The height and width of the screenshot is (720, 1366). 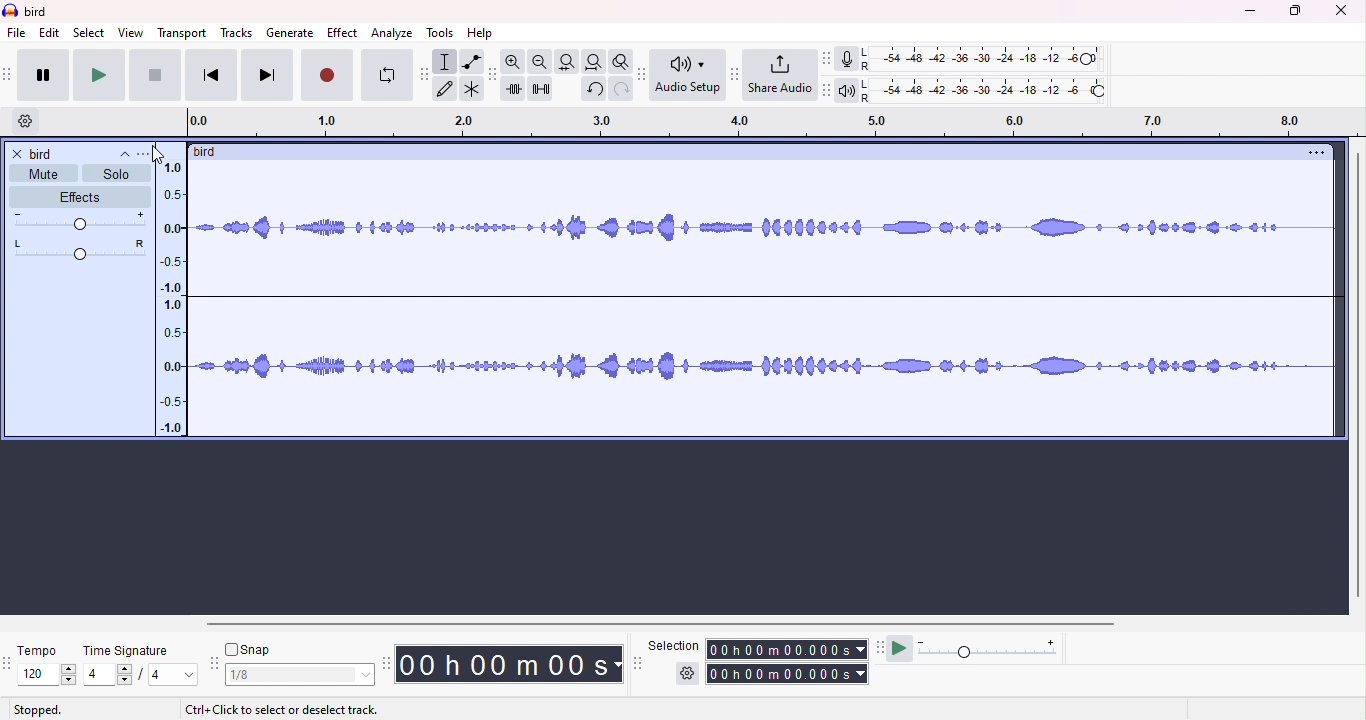 What do you see at coordinates (251, 651) in the screenshot?
I see `snap` at bounding box center [251, 651].